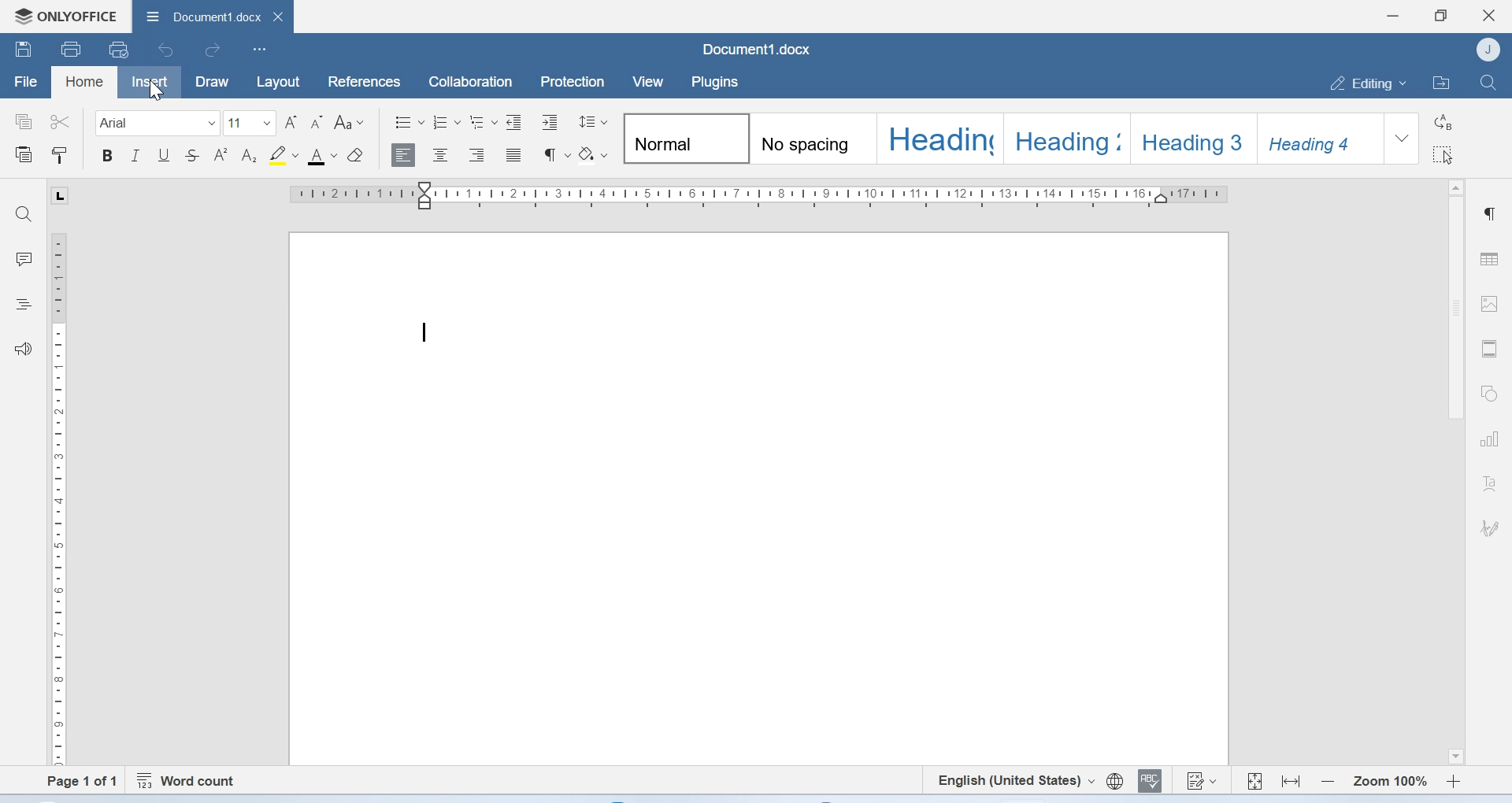  Describe the element at coordinates (24, 348) in the screenshot. I see `Feedback and support` at that location.